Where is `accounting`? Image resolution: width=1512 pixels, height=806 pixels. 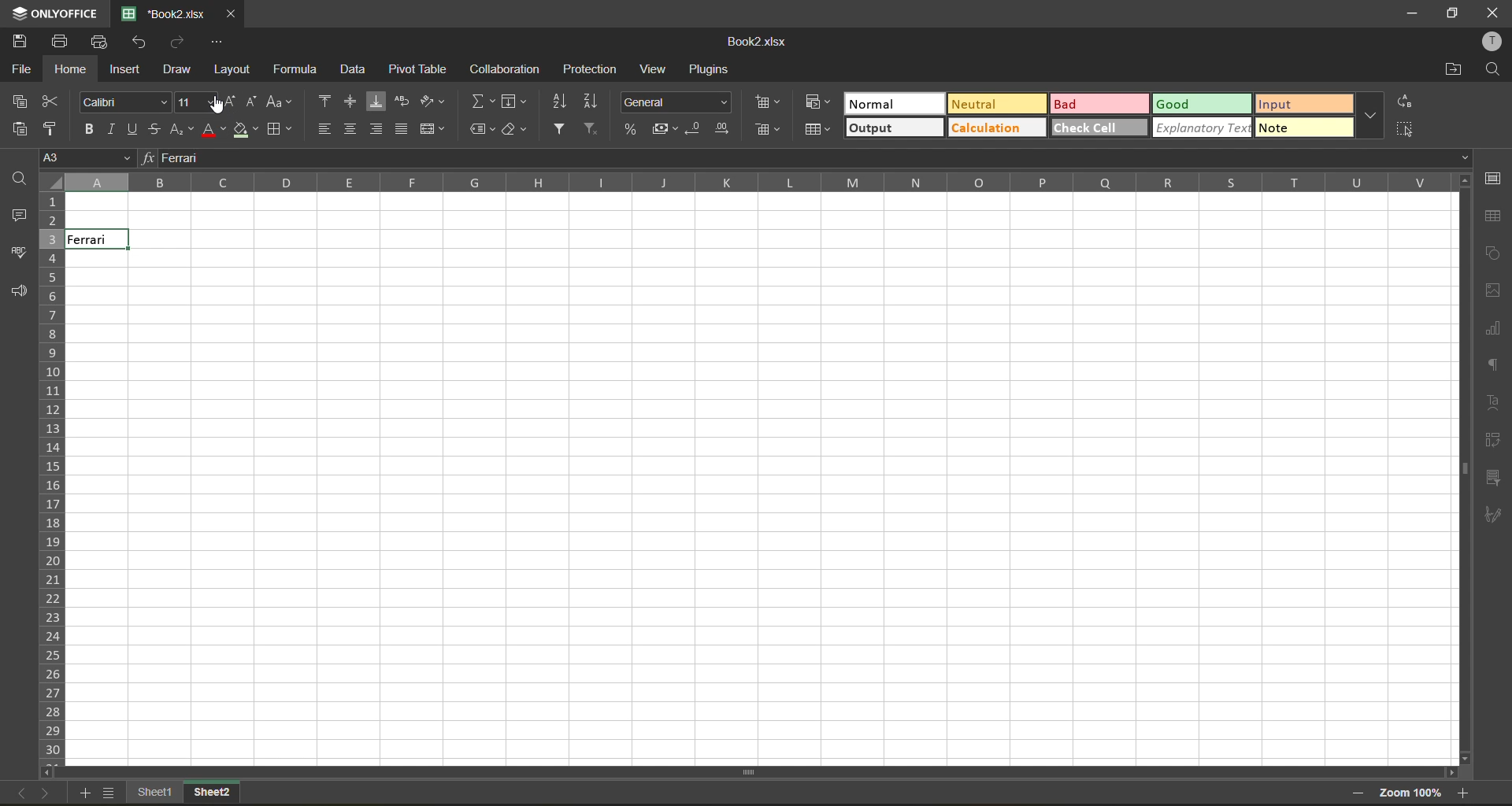 accounting is located at coordinates (661, 128).